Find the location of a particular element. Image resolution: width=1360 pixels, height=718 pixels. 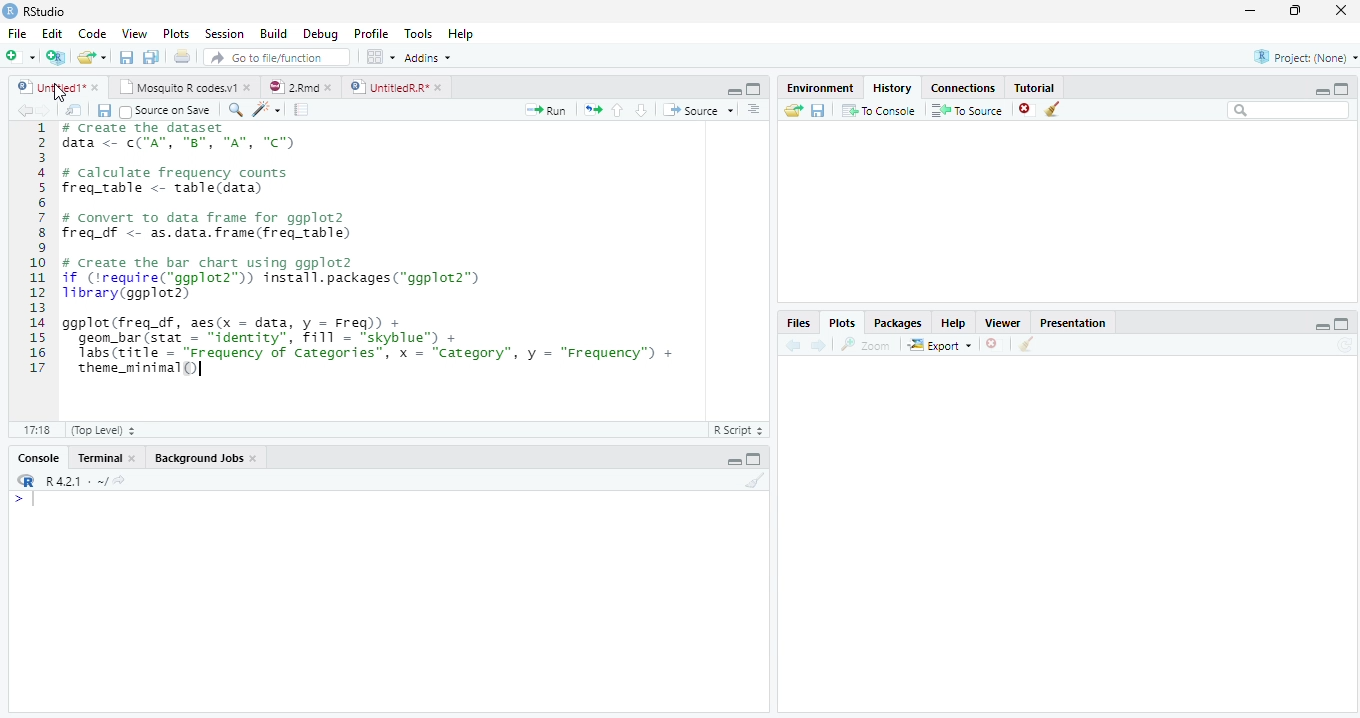

Maximize is located at coordinates (753, 90).